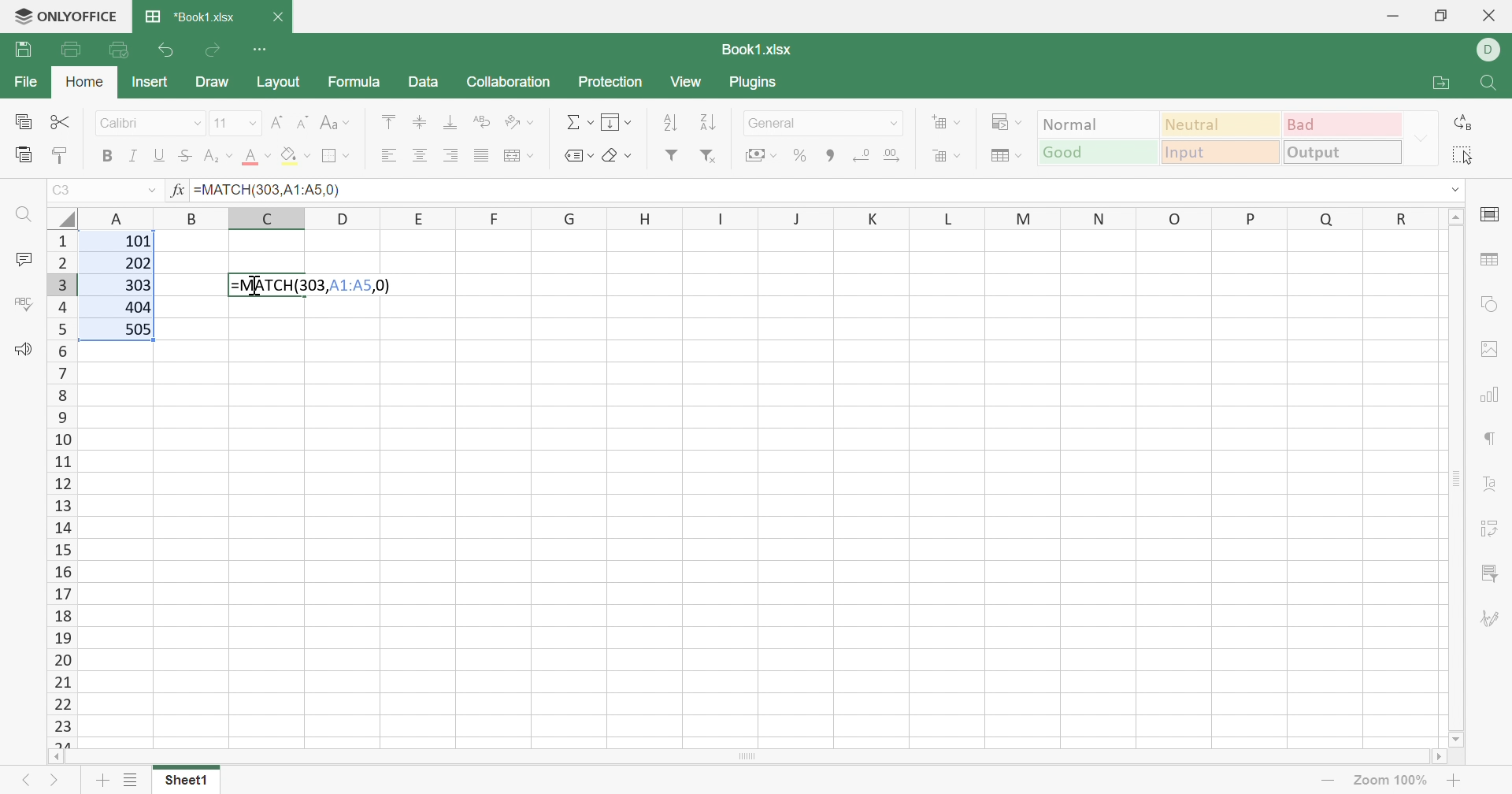 This screenshot has width=1512, height=794. I want to click on Cut, so click(62, 122).